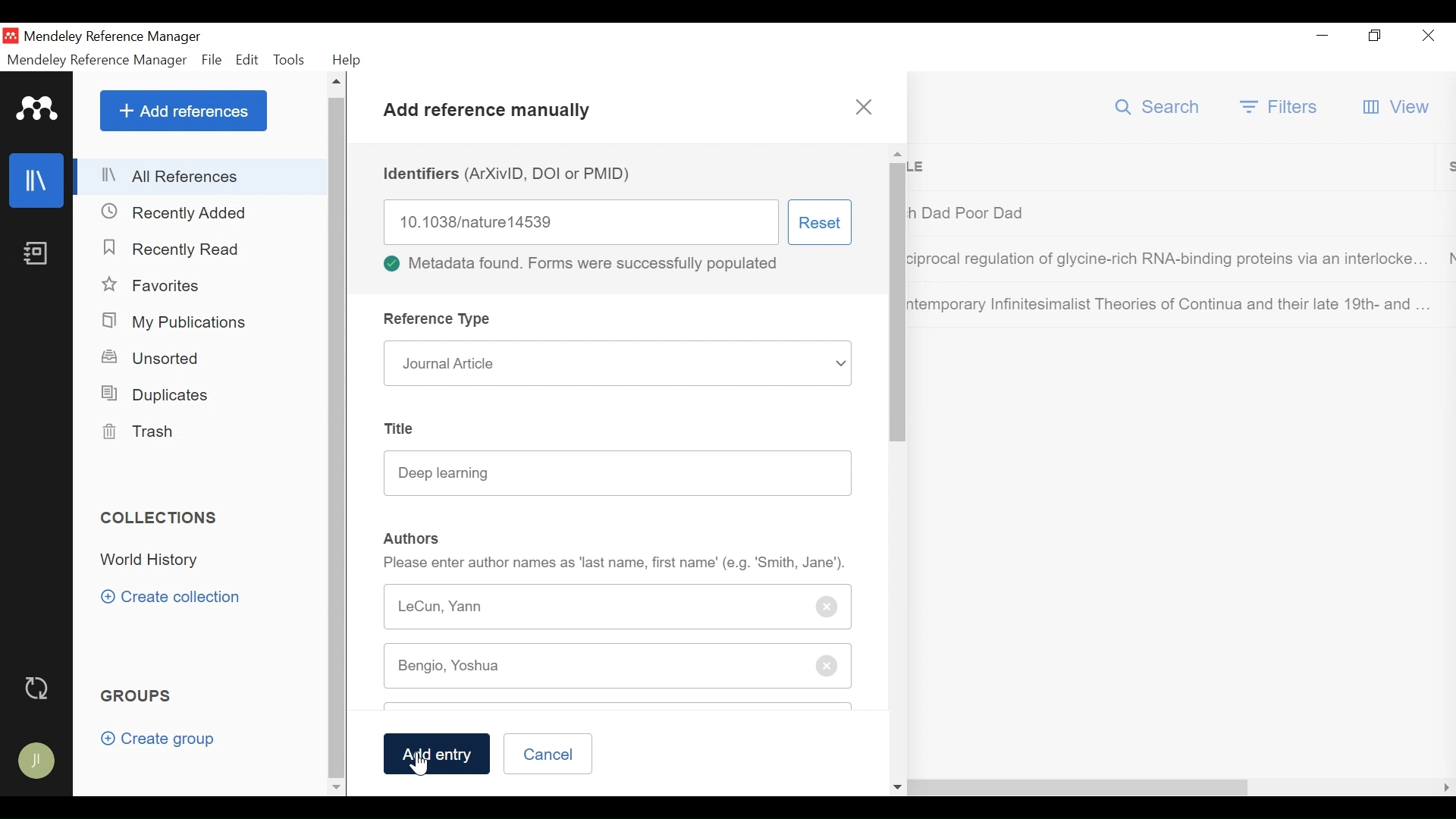 This screenshot has height=819, width=1456. What do you see at coordinates (1157, 107) in the screenshot?
I see `Search` at bounding box center [1157, 107].